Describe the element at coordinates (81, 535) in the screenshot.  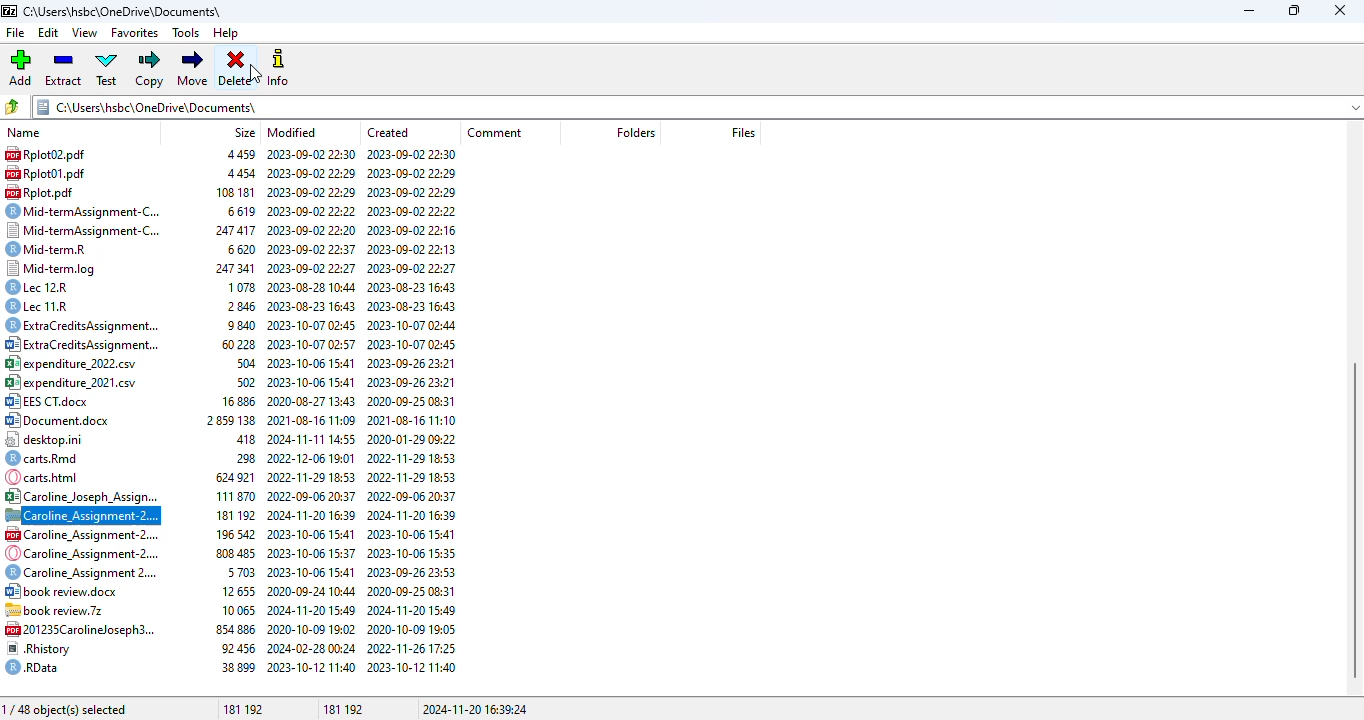
I see ` Caroline Assianment.2.` at that location.